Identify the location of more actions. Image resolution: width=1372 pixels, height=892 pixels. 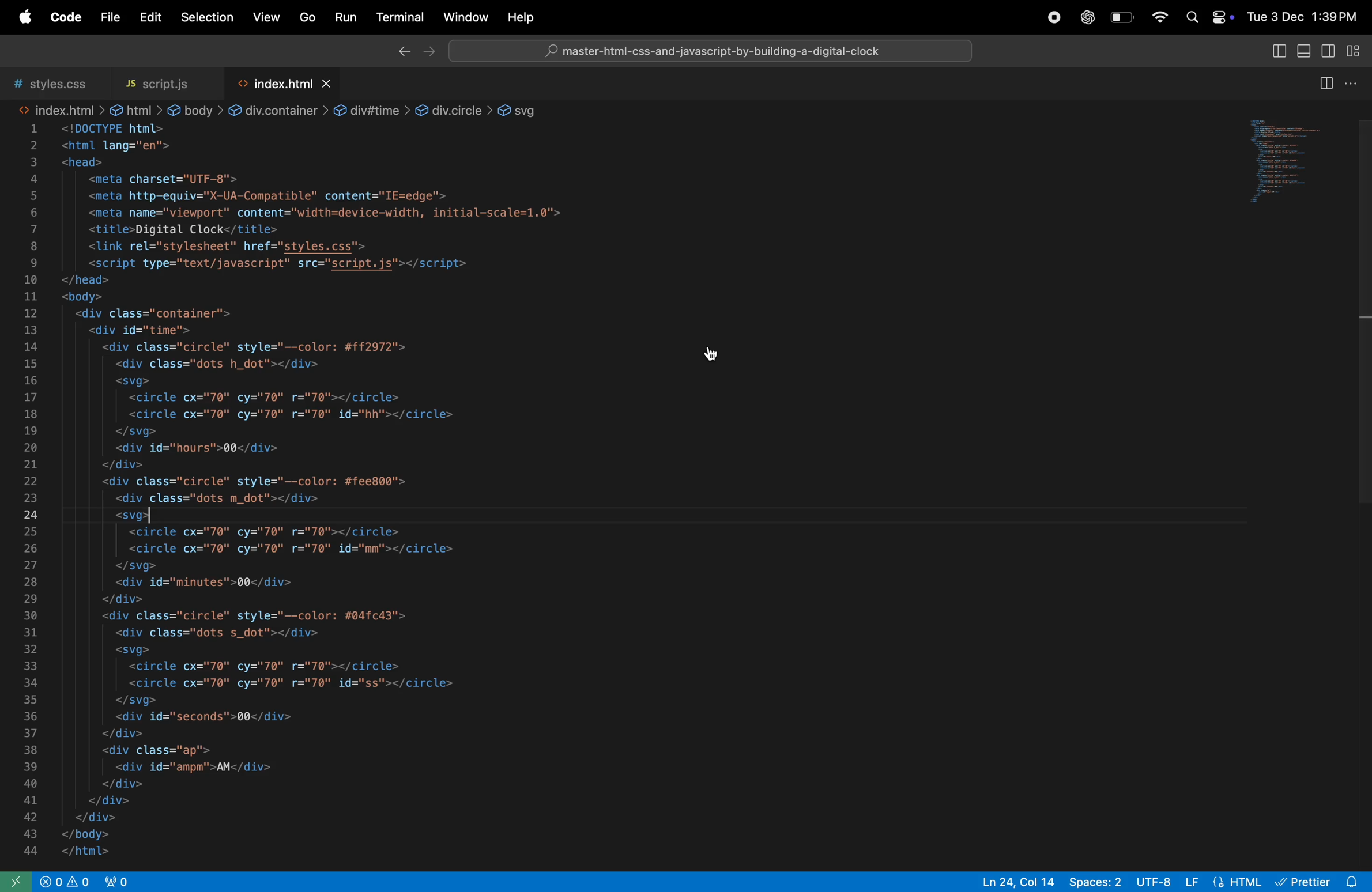
(1353, 84).